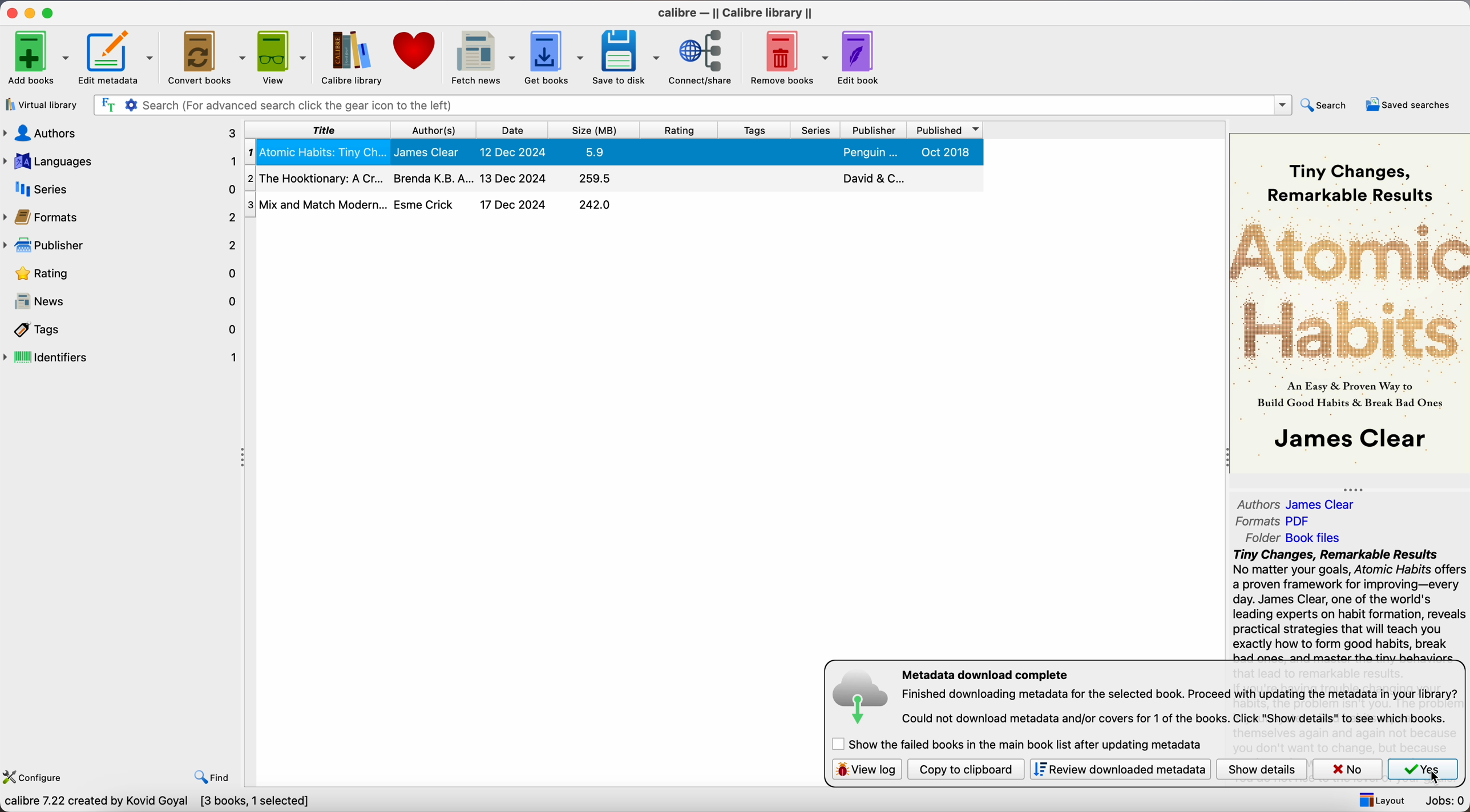 The height and width of the screenshot is (812, 1470). I want to click on Formats PDF, so click(1273, 523).